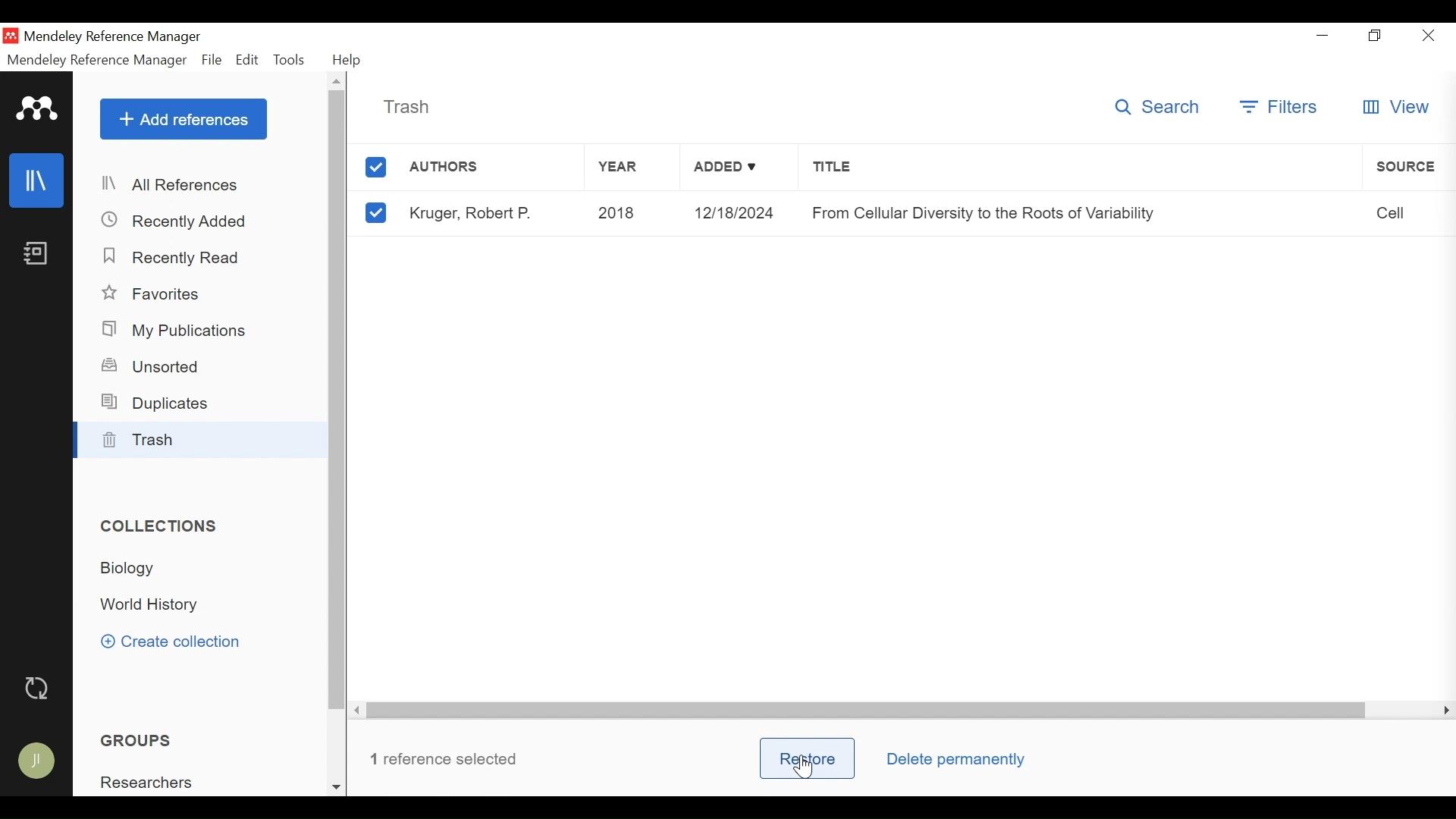 Image resolution: width=1456 pixels, height=819 pixels. I want to click on (un)select, so click(375, 214).